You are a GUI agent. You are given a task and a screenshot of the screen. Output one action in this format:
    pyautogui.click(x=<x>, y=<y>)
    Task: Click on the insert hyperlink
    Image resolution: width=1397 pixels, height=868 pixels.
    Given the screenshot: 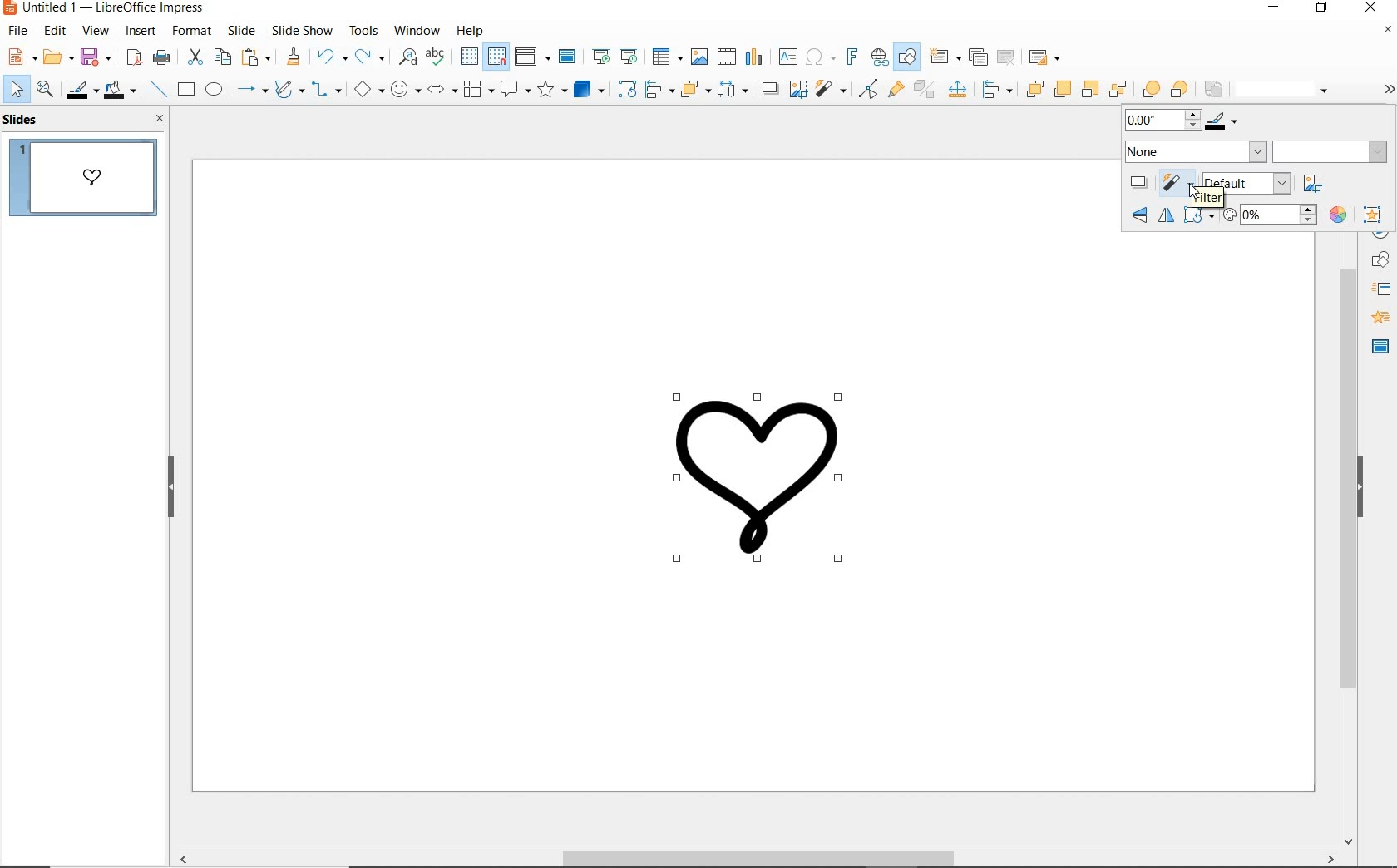 What is the action you would take?
    pyautogui.click(x=880, y=57)
    